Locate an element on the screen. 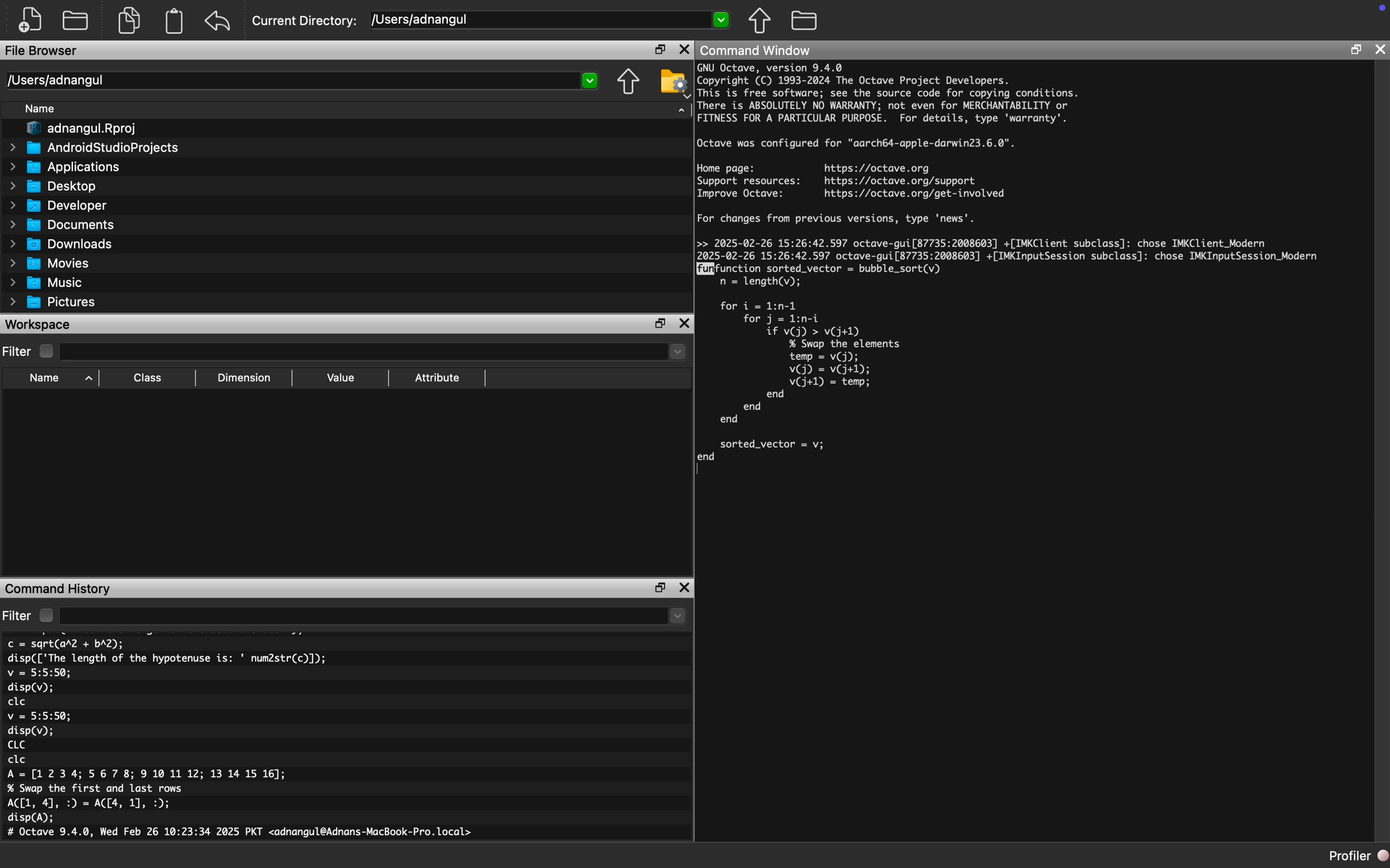  Close is located at coordinates (684, 49).